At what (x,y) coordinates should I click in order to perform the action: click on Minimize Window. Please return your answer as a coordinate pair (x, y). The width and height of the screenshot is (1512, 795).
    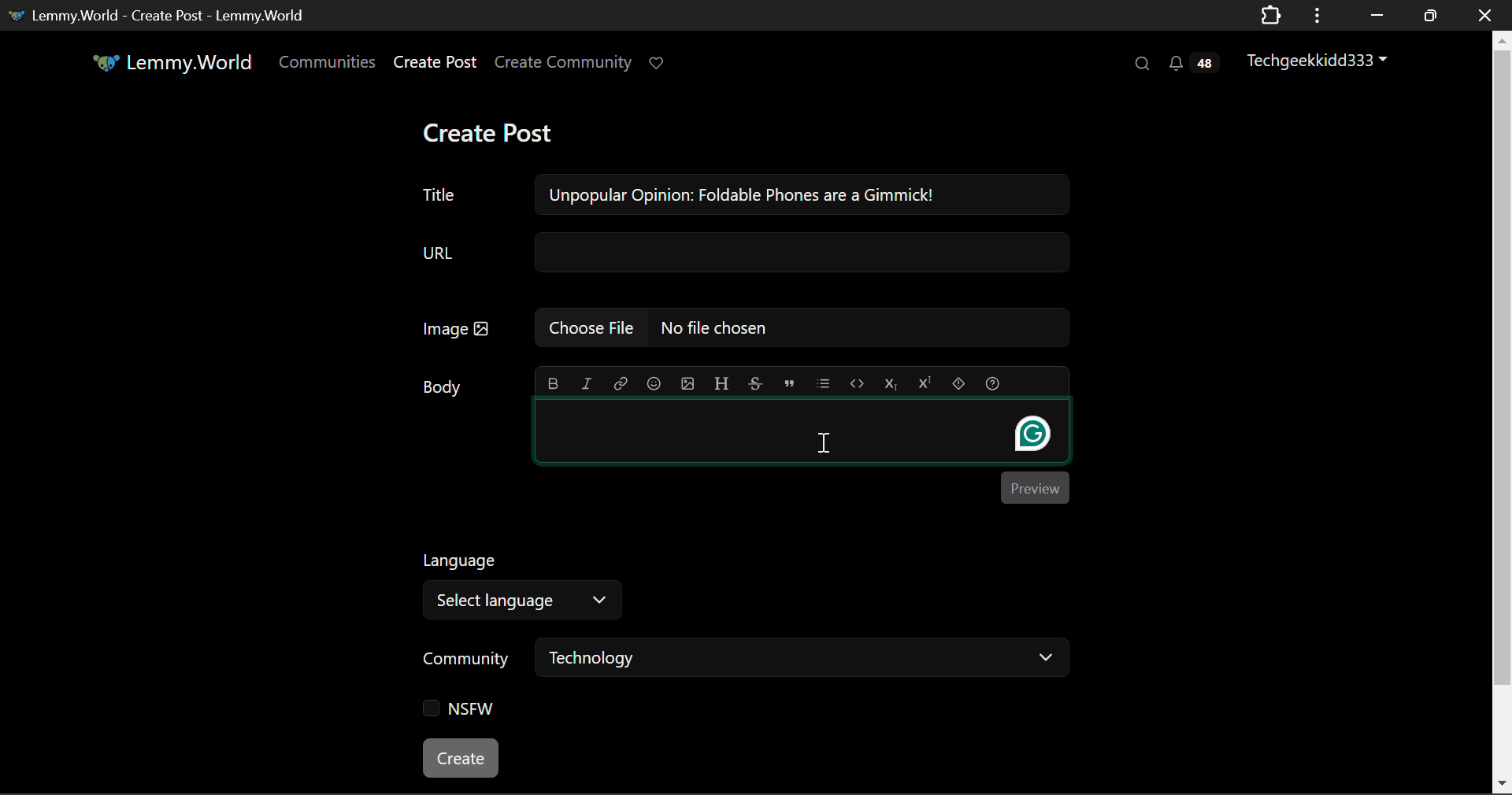
    Looking at the image, I should click on (1432, 15).